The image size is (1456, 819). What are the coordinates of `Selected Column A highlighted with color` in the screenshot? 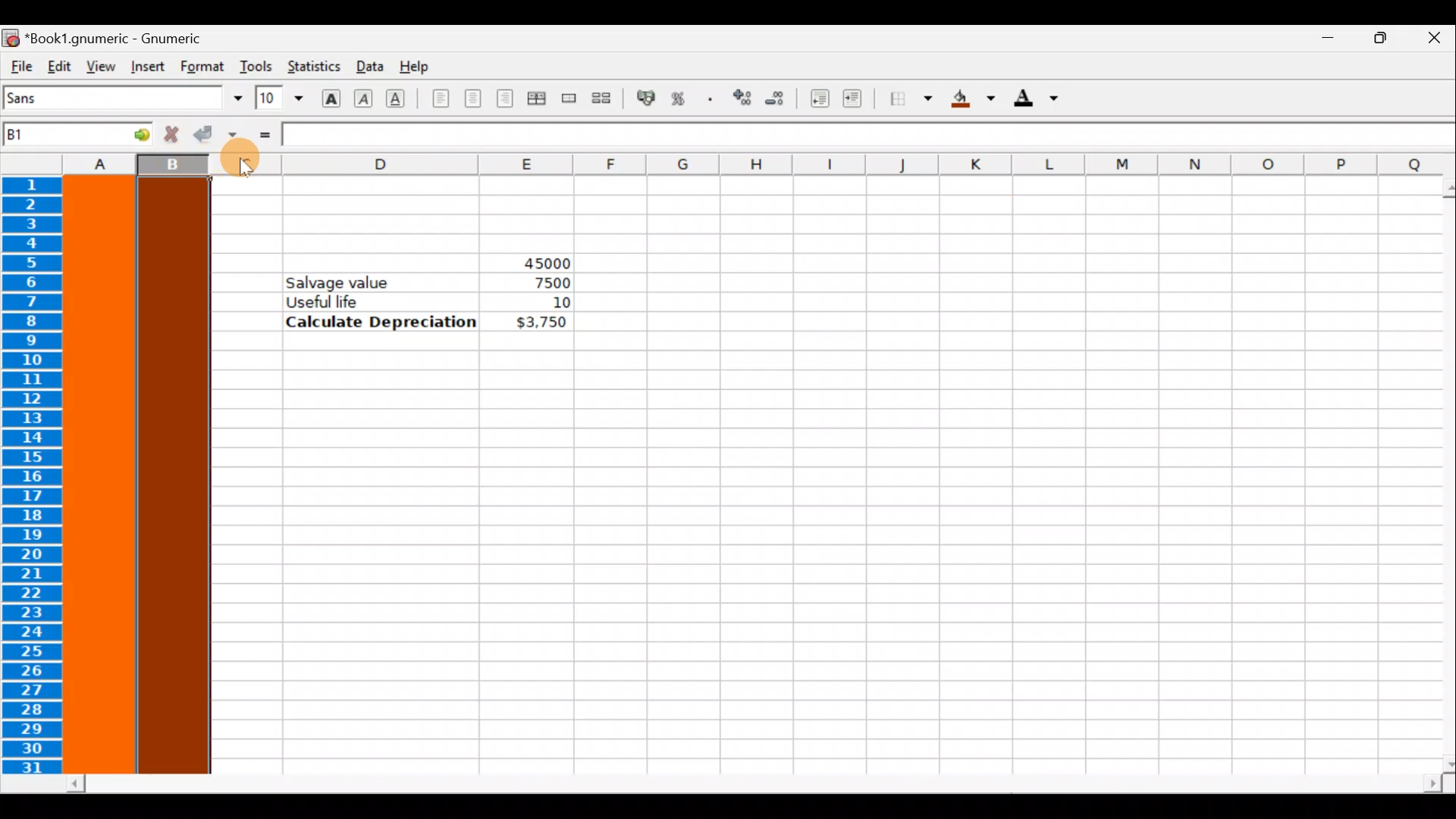 It's located at (100, 475).